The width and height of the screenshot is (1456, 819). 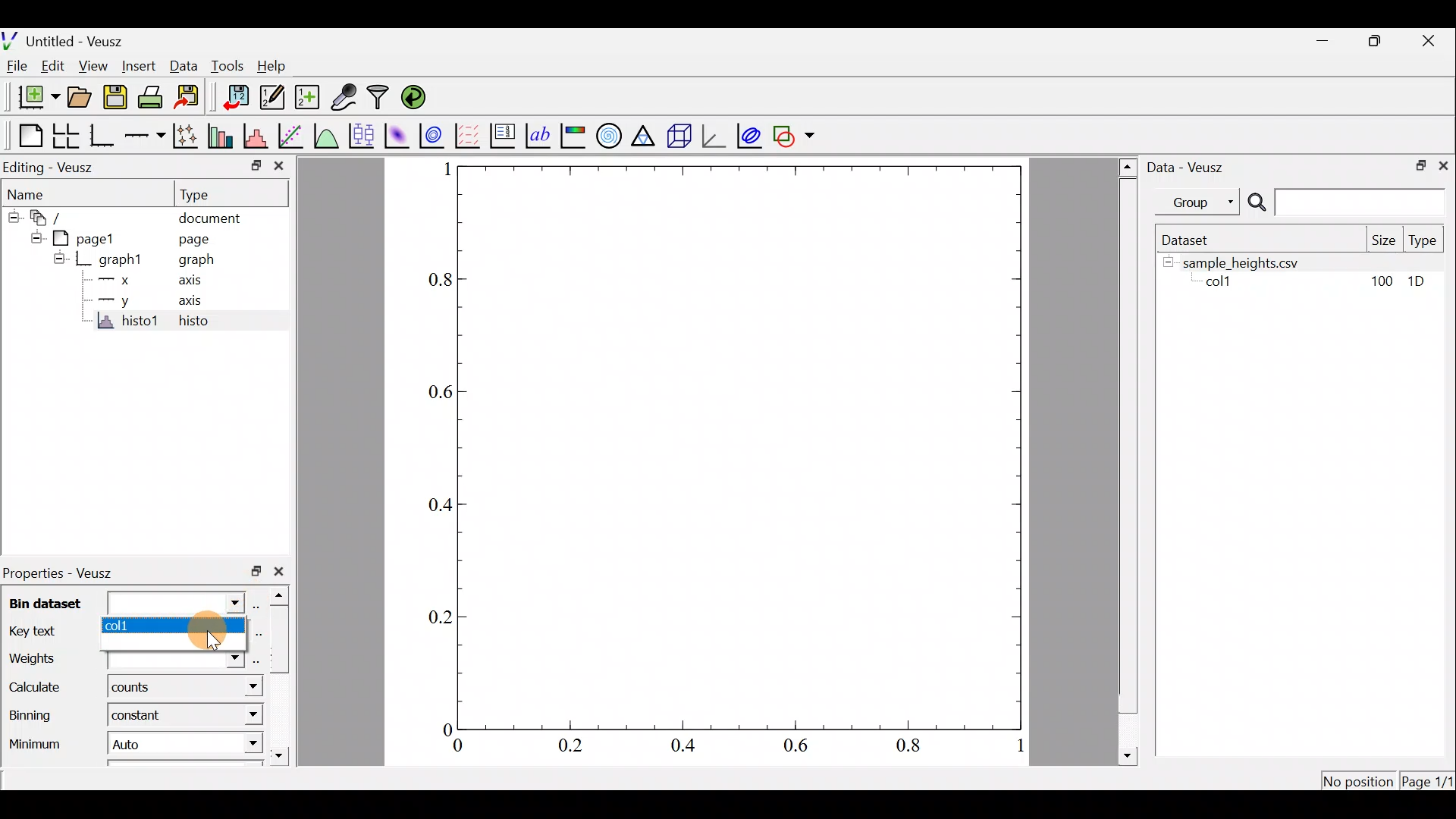 What do you see at coordinates (682, 135) in the screenshot?
I see `3d scene` at bounding box center [682, 135].